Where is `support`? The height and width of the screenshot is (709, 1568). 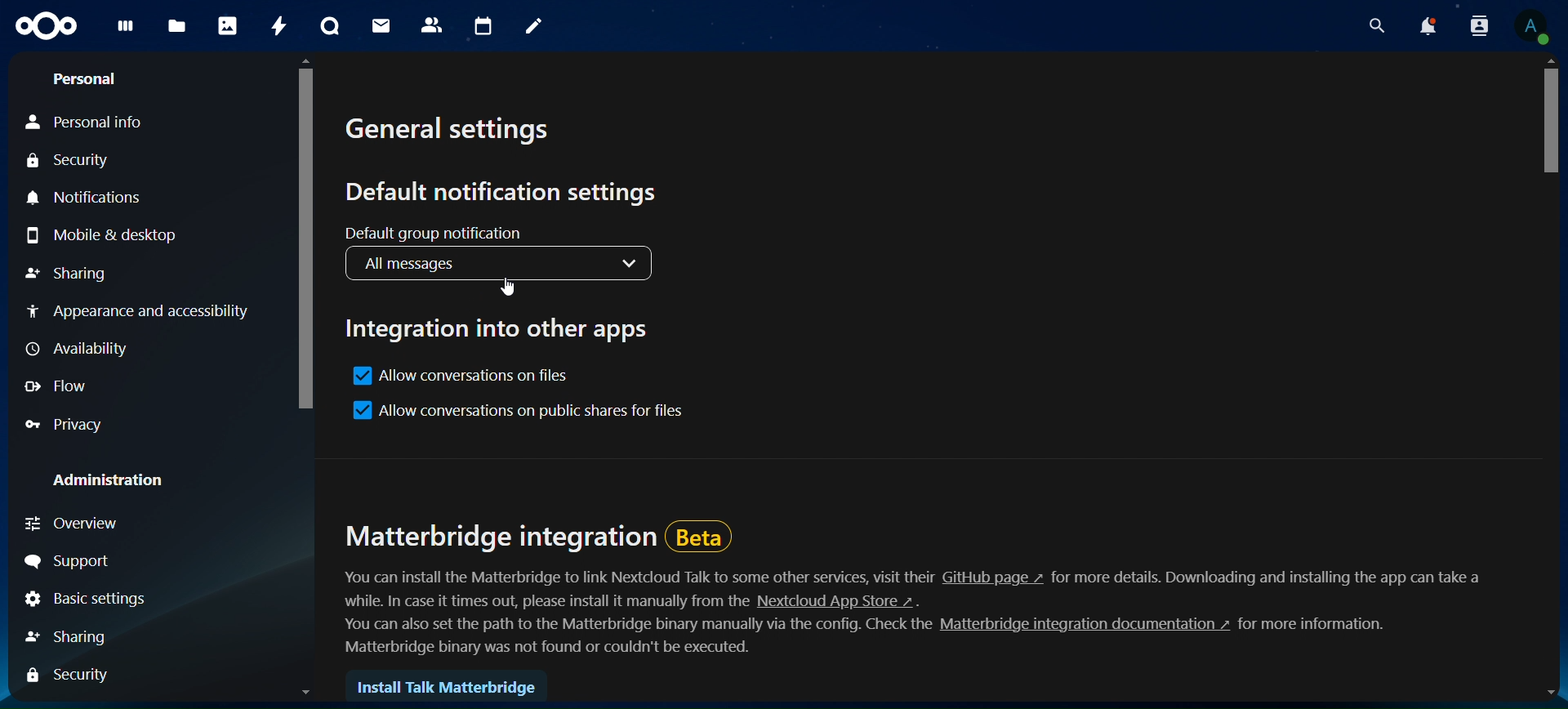
support is located at coordinates (74, 560).